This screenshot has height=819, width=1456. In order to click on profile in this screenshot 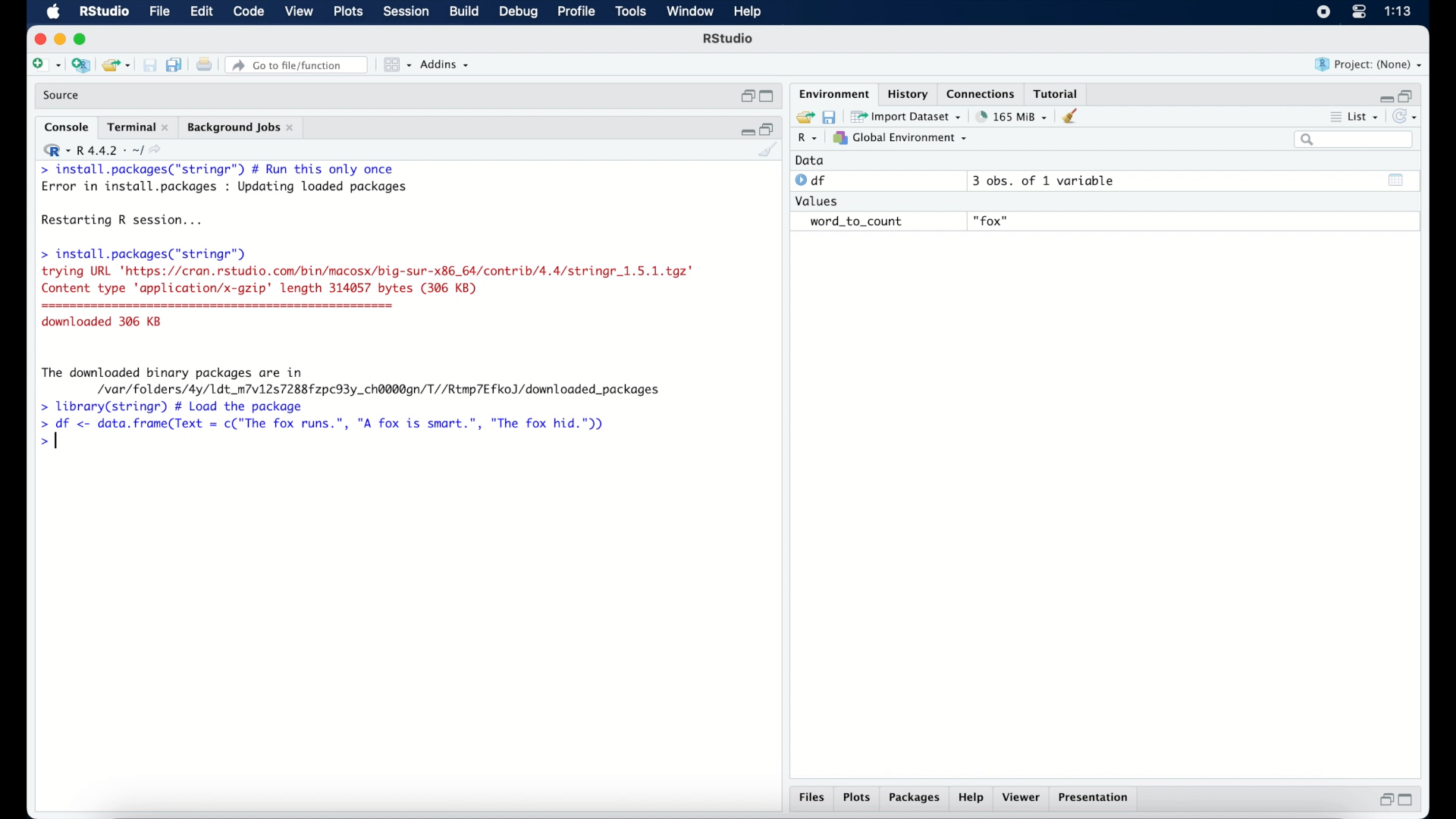, I will do `click(575, 12)`.